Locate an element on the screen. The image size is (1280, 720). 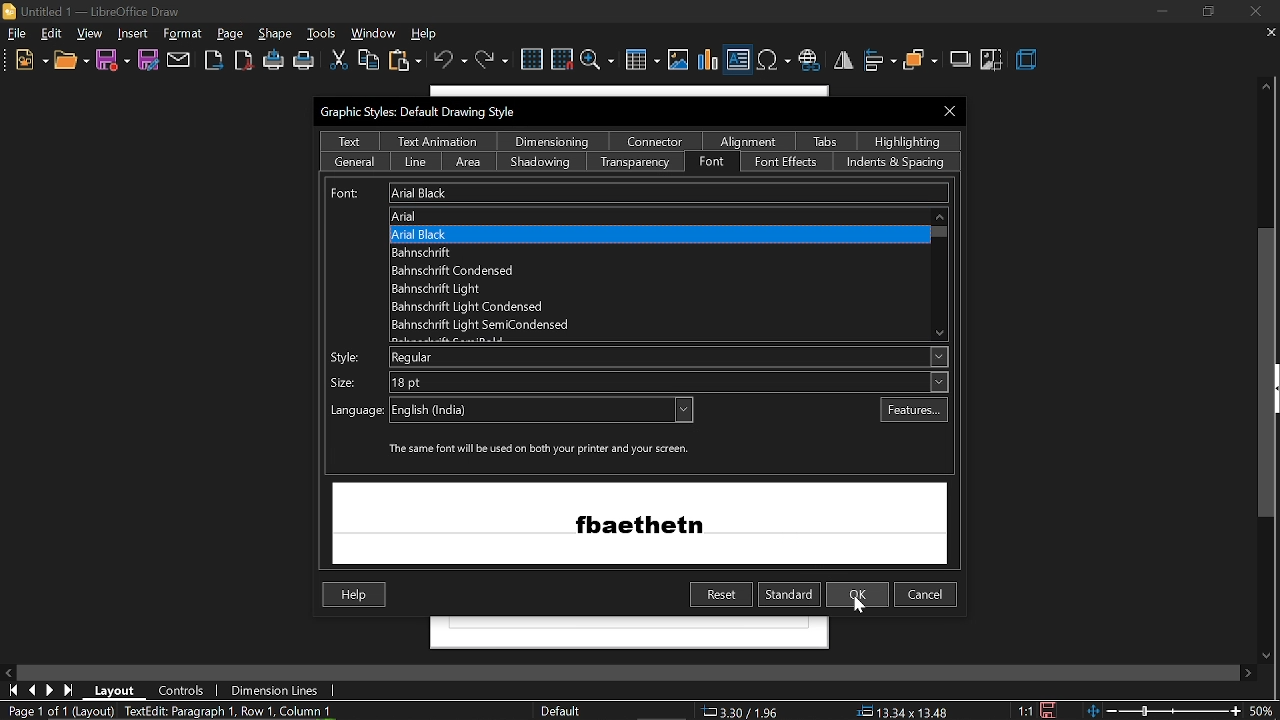
English (India) is located at coordinates (544, 412).